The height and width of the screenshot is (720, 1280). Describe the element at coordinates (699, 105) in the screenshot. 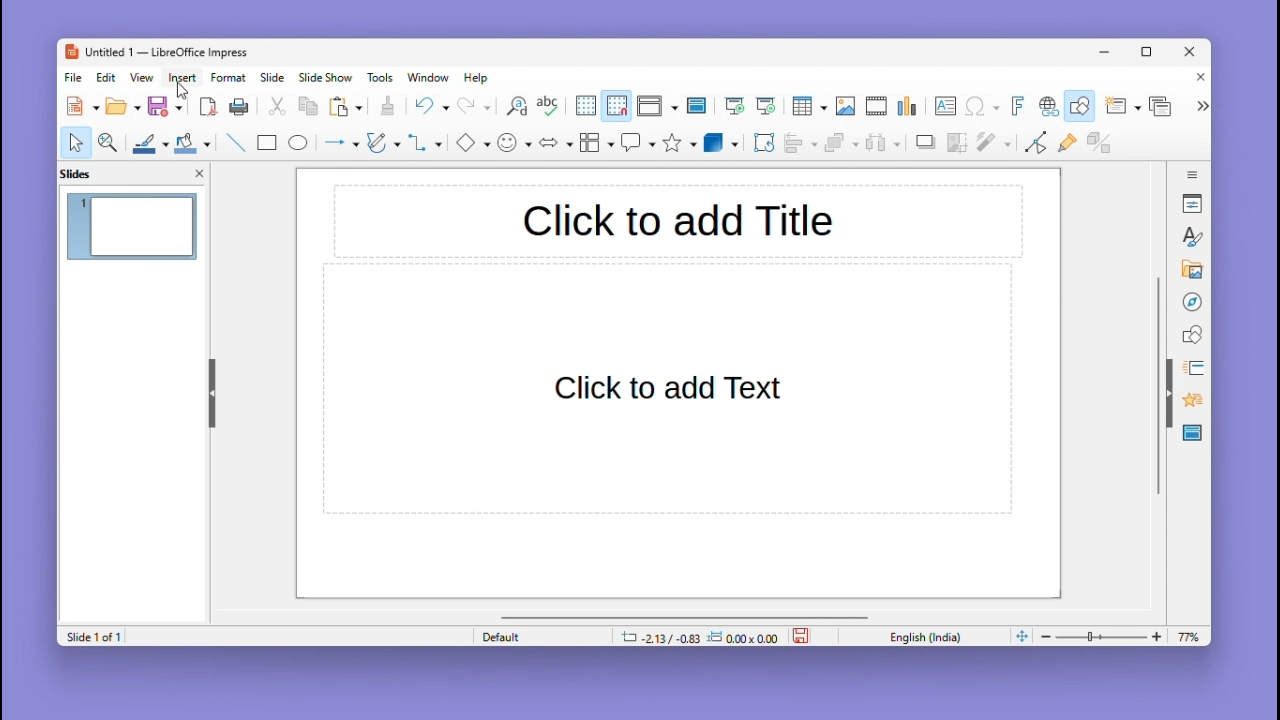

I see `Master slide` at that location.